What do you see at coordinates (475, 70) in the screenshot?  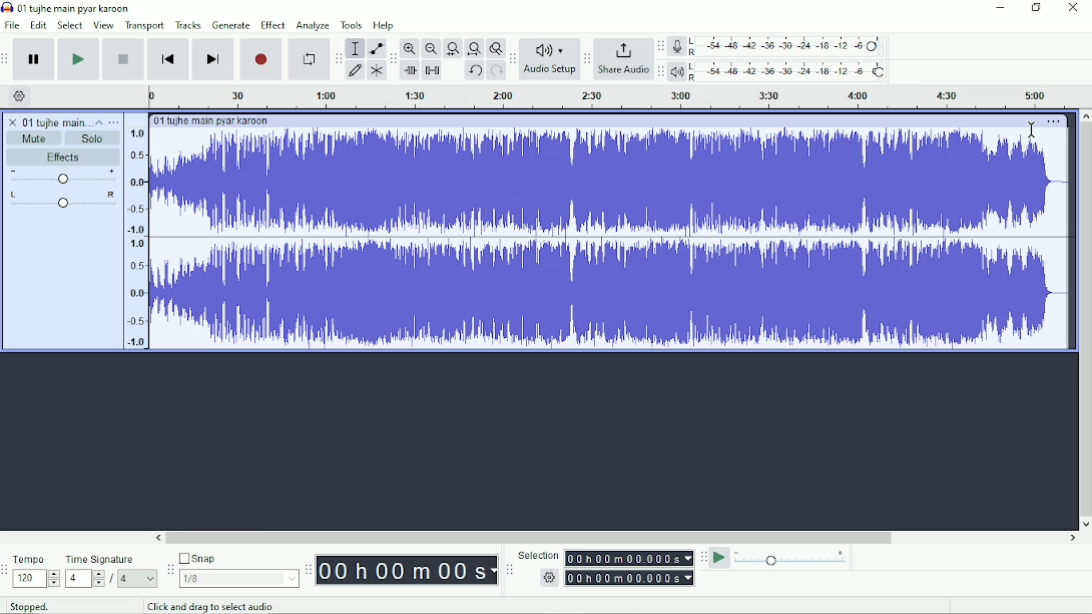 I see `Undo` at bounding box center [475, 70].